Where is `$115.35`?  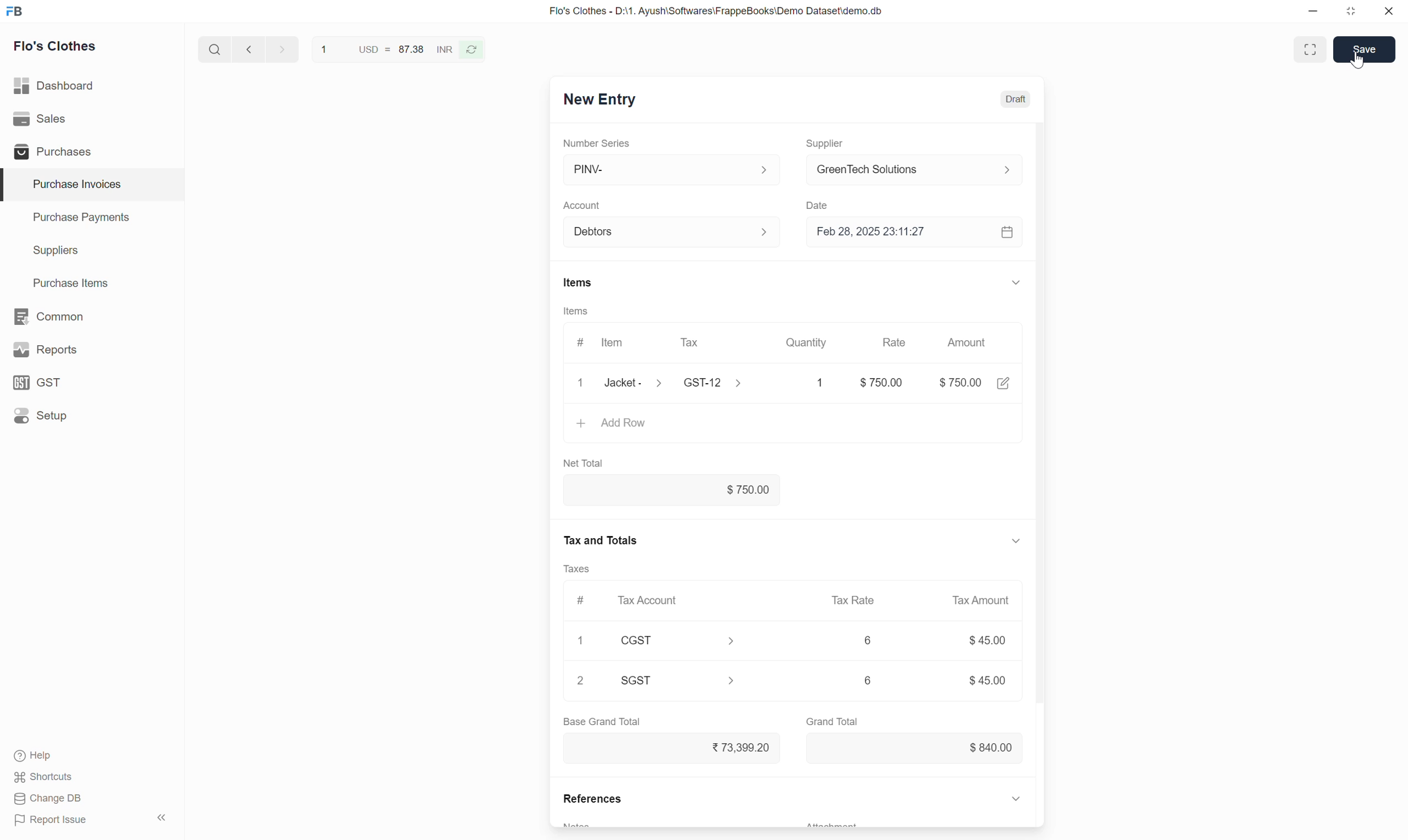 $115.35 is located at coordinates (916, 748).